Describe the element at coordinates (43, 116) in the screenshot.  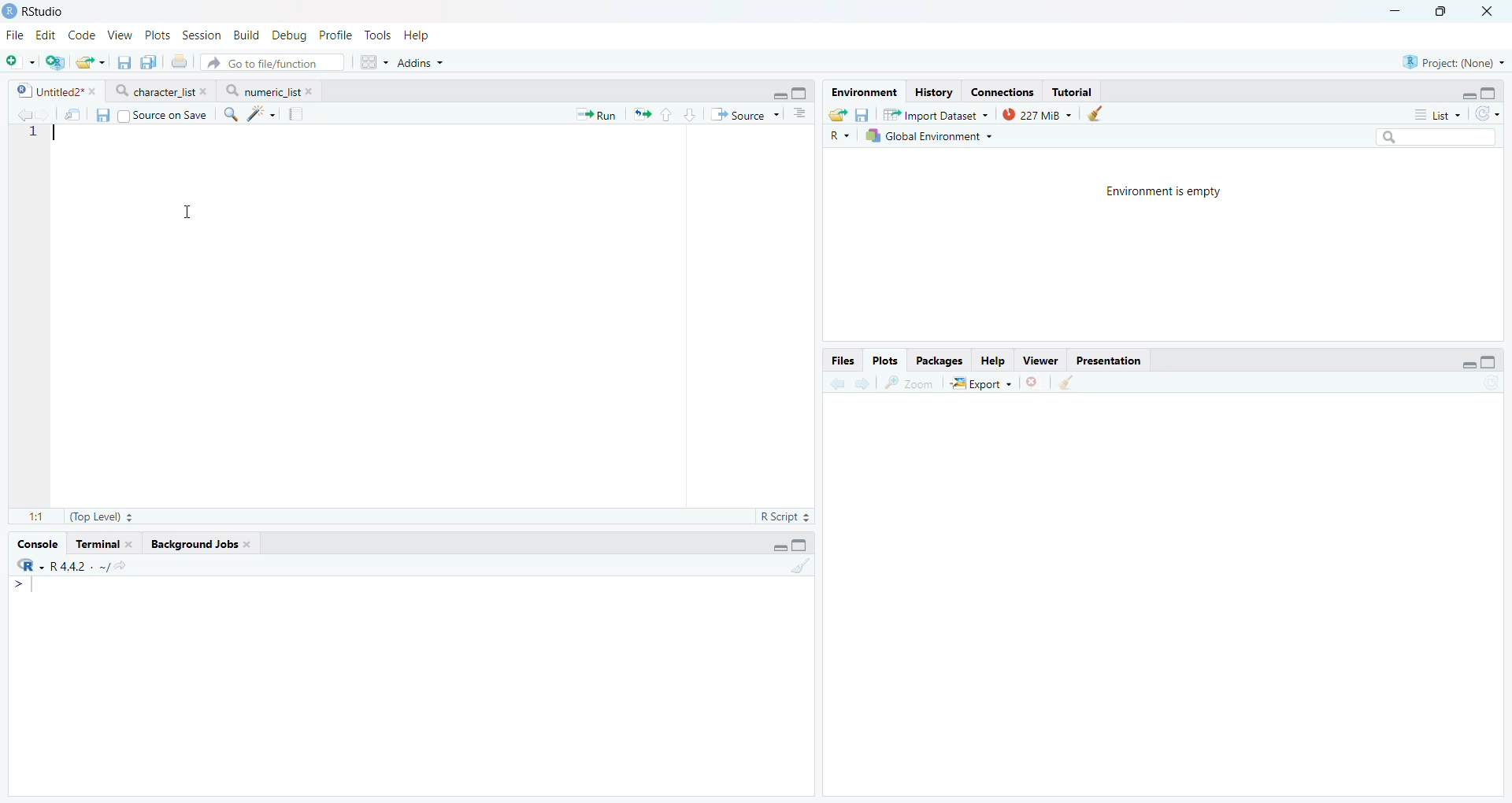
I see `Go to next source location` at that location.